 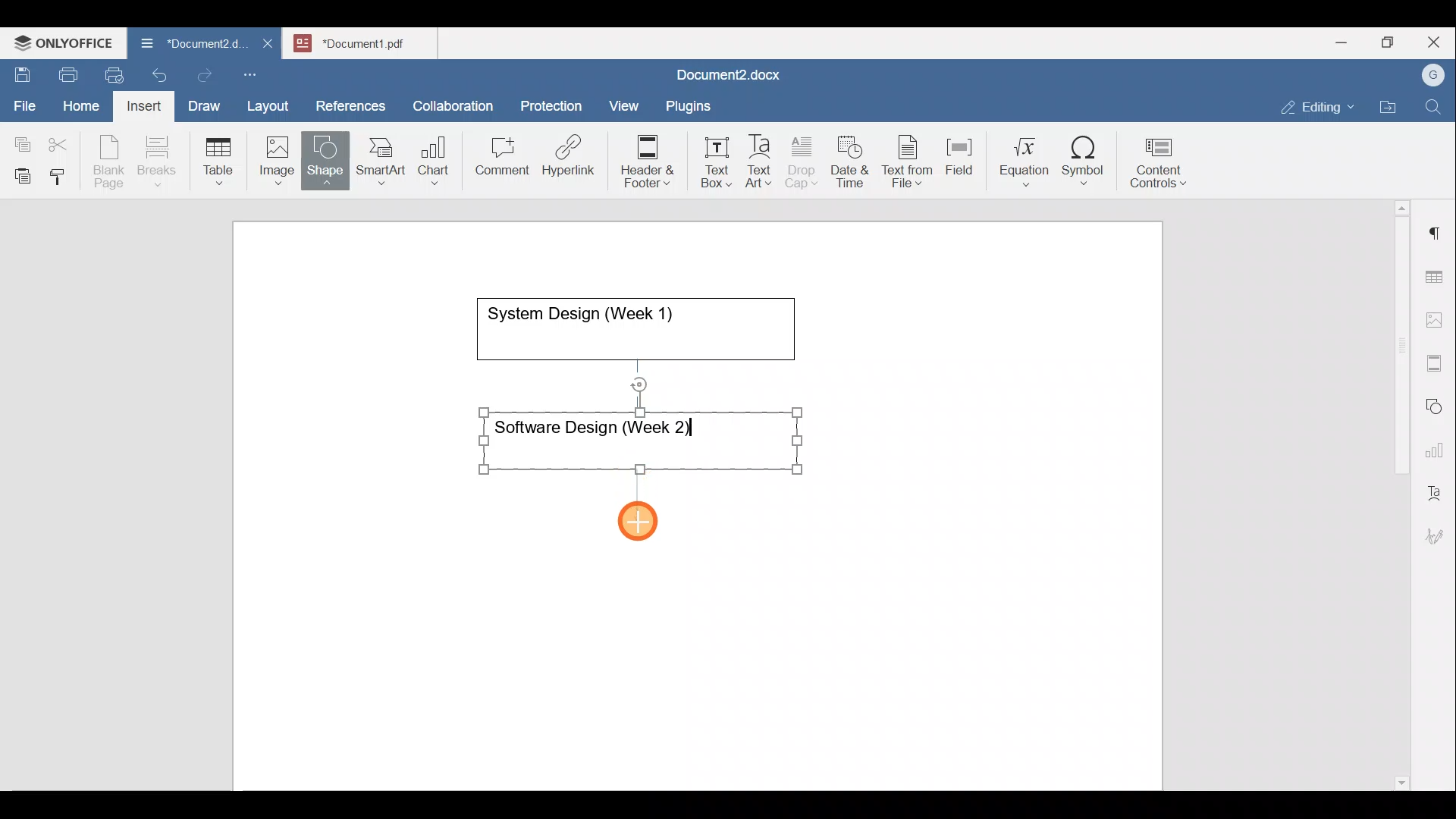 I want to click on Editing mode, so click(x=1318, y=104).